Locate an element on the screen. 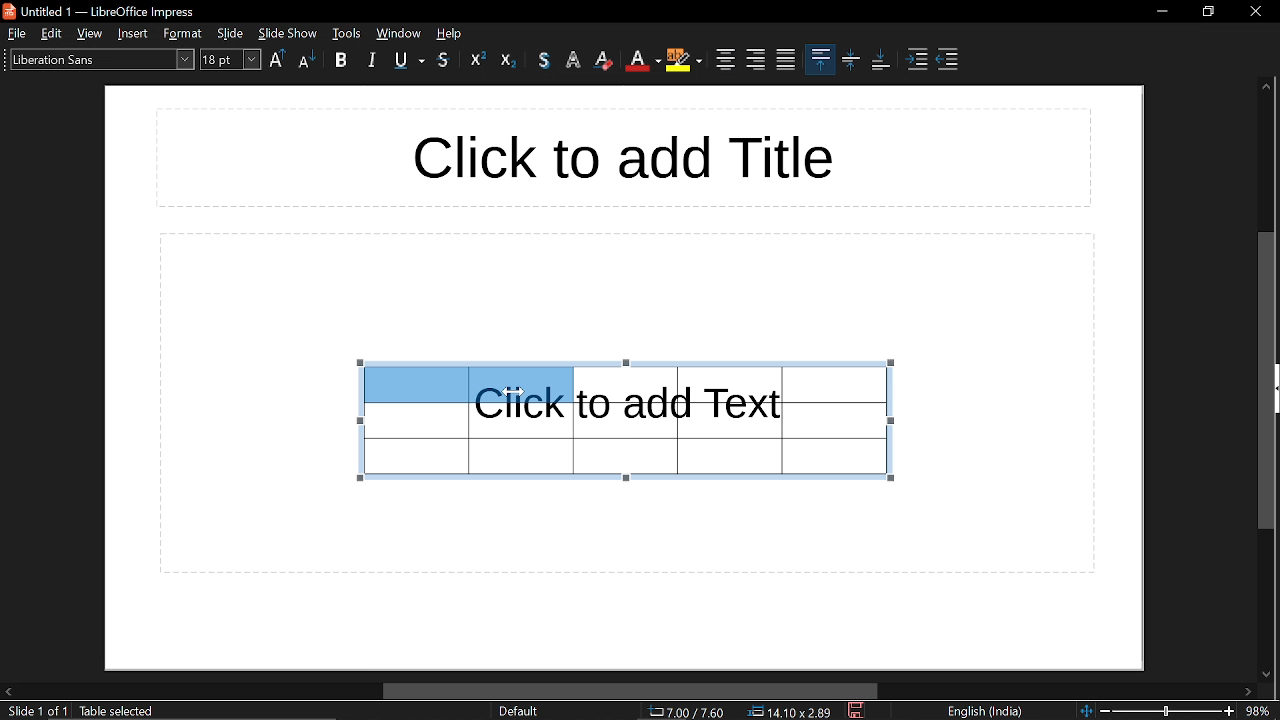 The height and width of the screenshot is (720, 1280). eraser is located at coordinates (606, 60).